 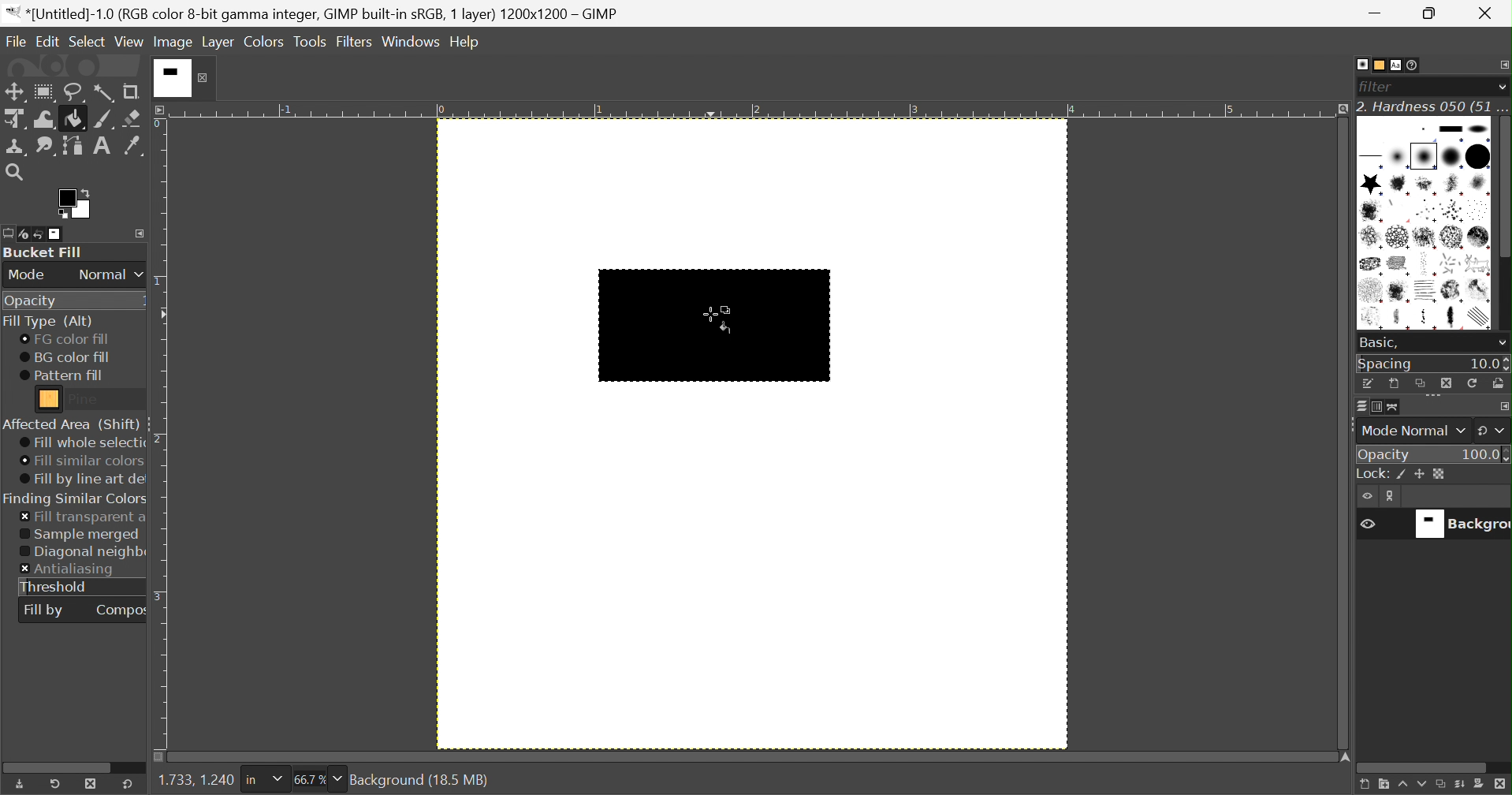 I want to click on 2. Hardness 050 (51..., so click(x=1432, y=106).